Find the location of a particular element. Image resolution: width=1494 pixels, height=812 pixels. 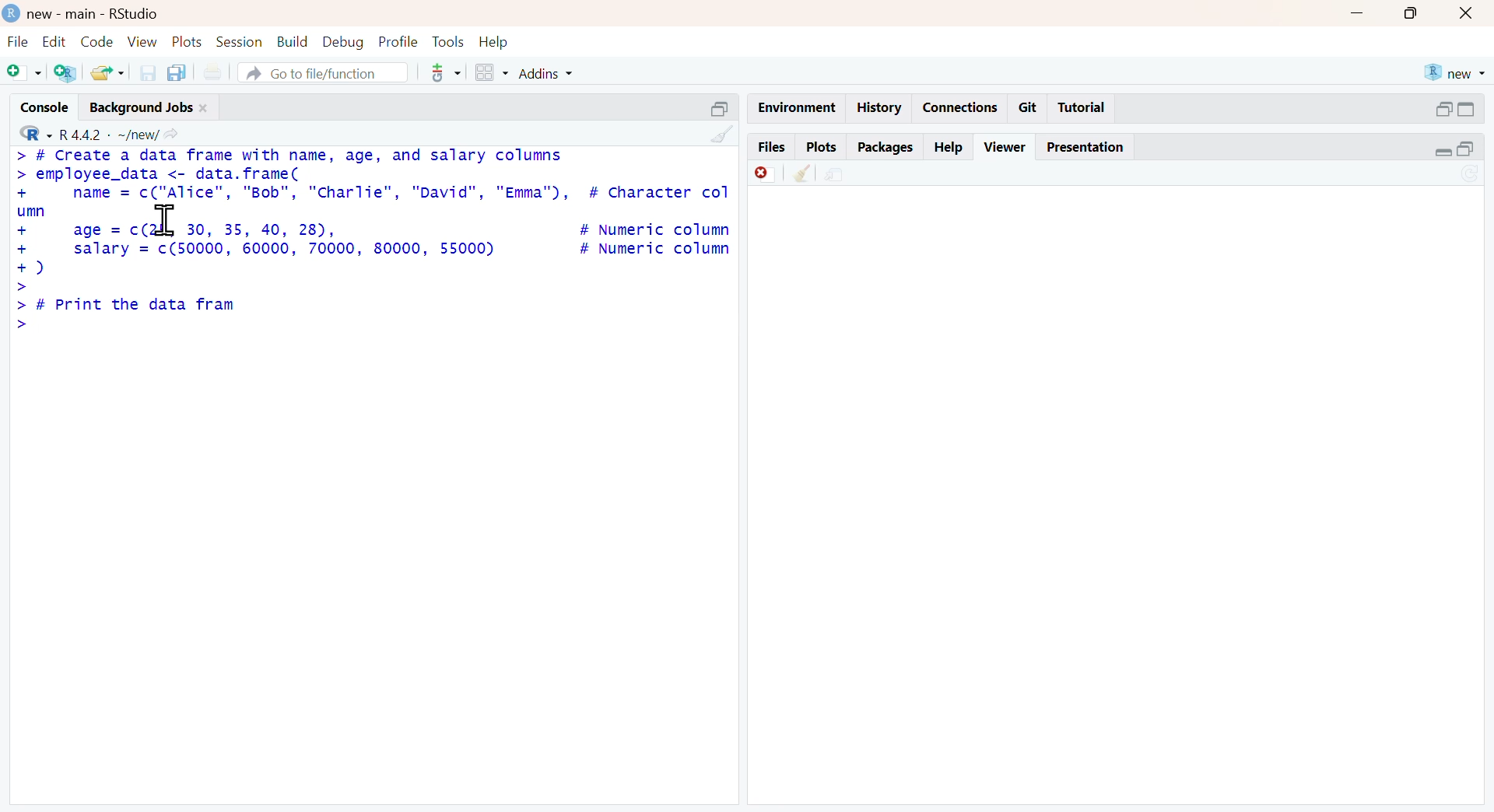

version control is located at coordinates (437, 73).